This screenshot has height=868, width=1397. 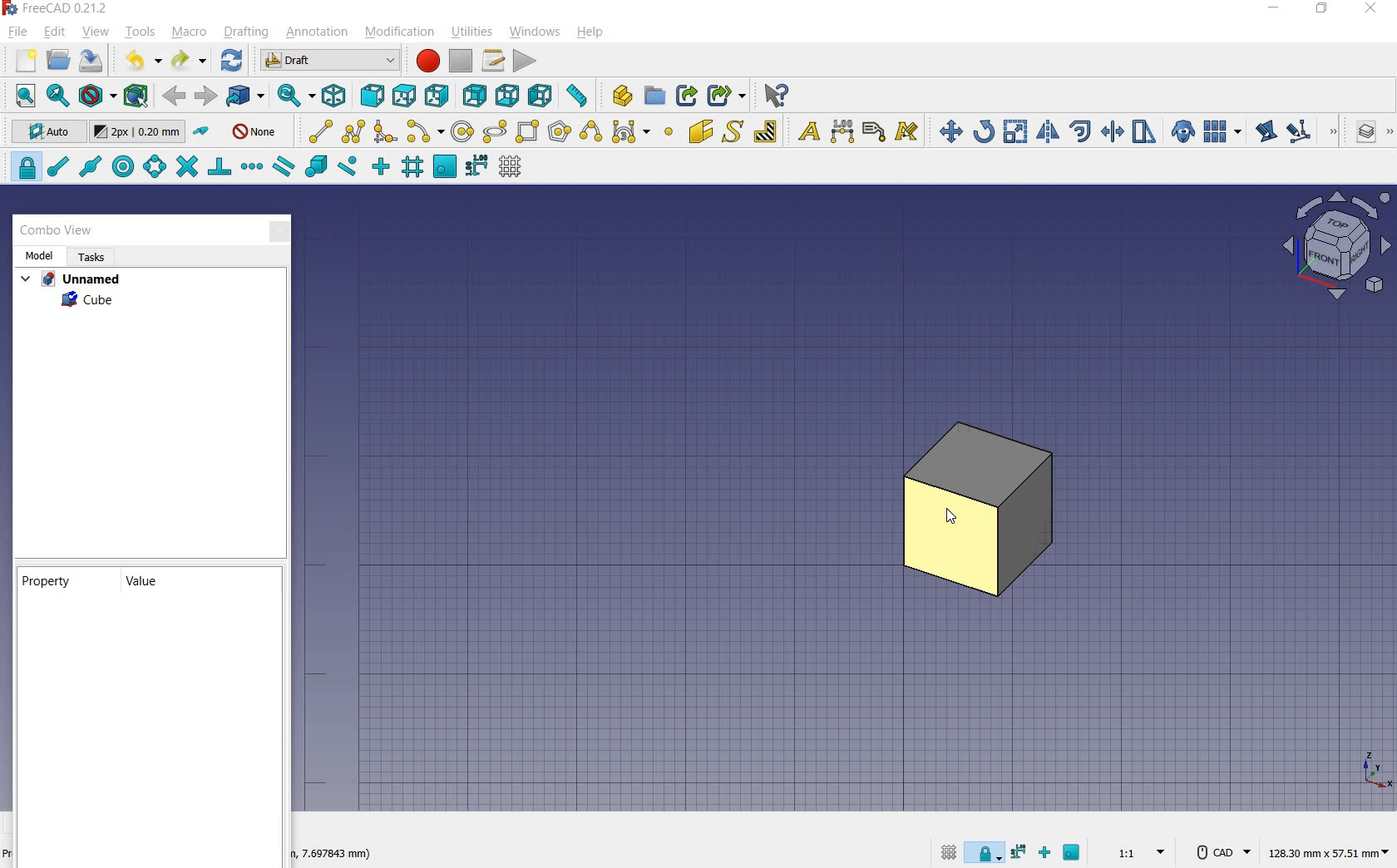 What do you see at coordinates (477, 167) in the screenshot?
I see `snap dimensions` at bounding box center [477, 167].